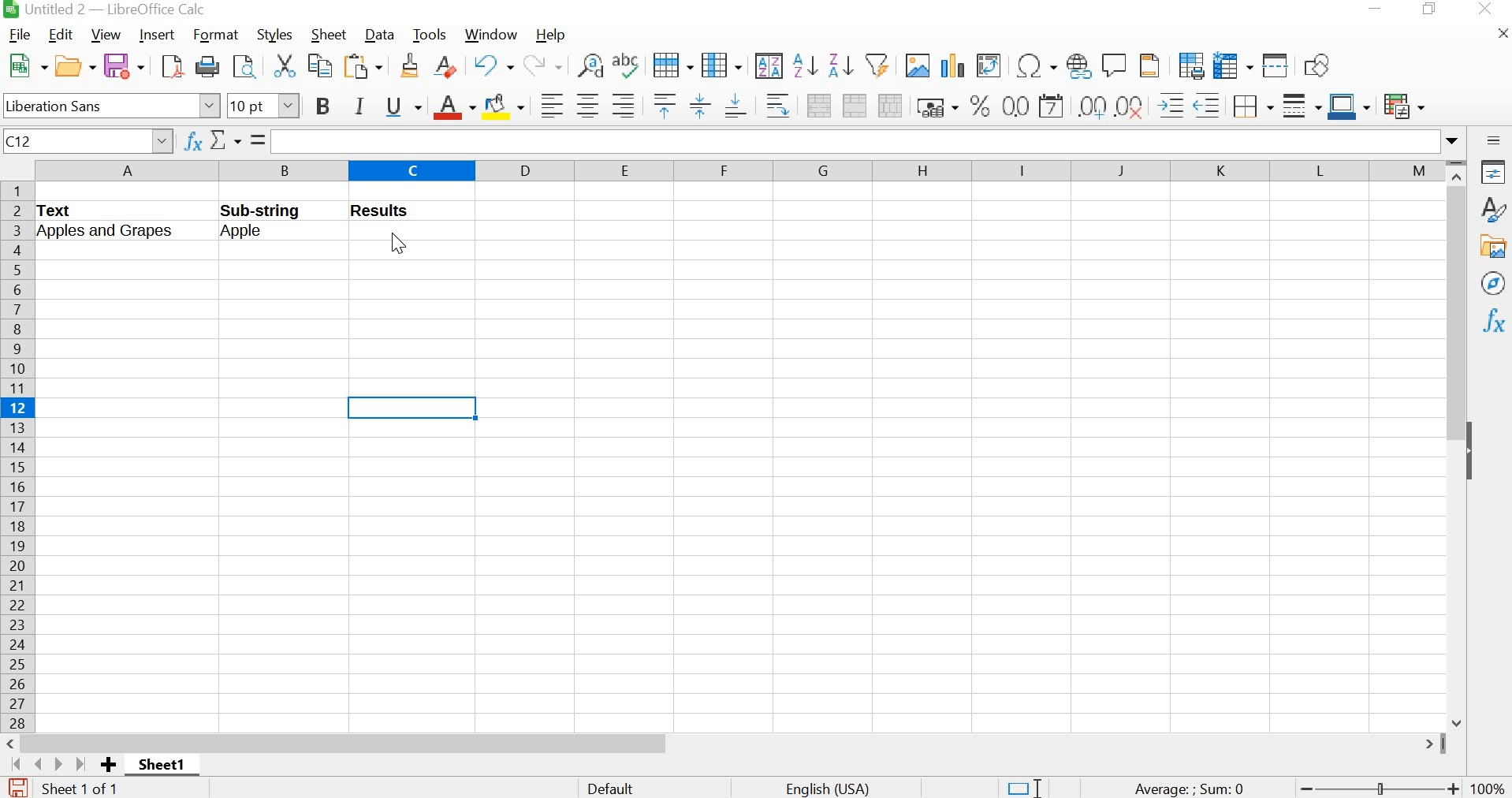 This screenshot has height=798, width=1512. Describe the element at coordinates (430, 35) in the screenshot. I see `tools` at that location.